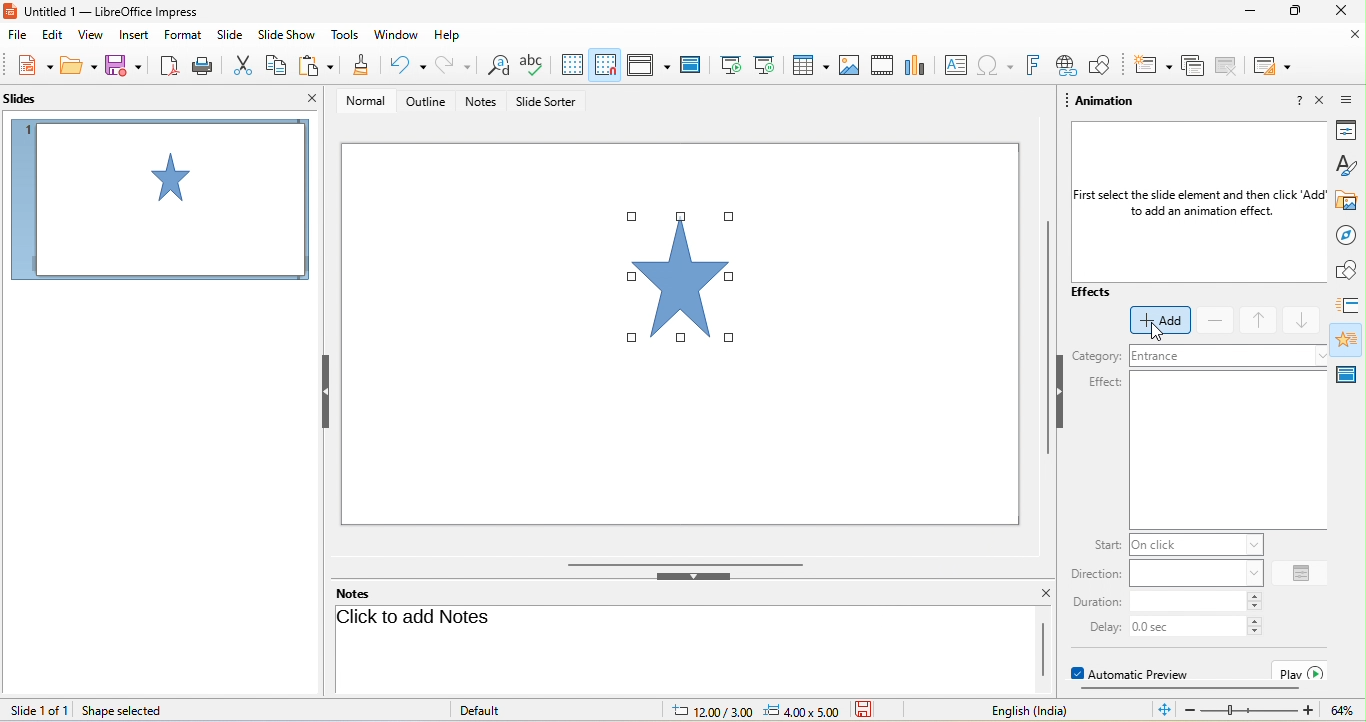 The width and height of the screenshot is (1366, 722). I want to click on undo, so click(403, 65).